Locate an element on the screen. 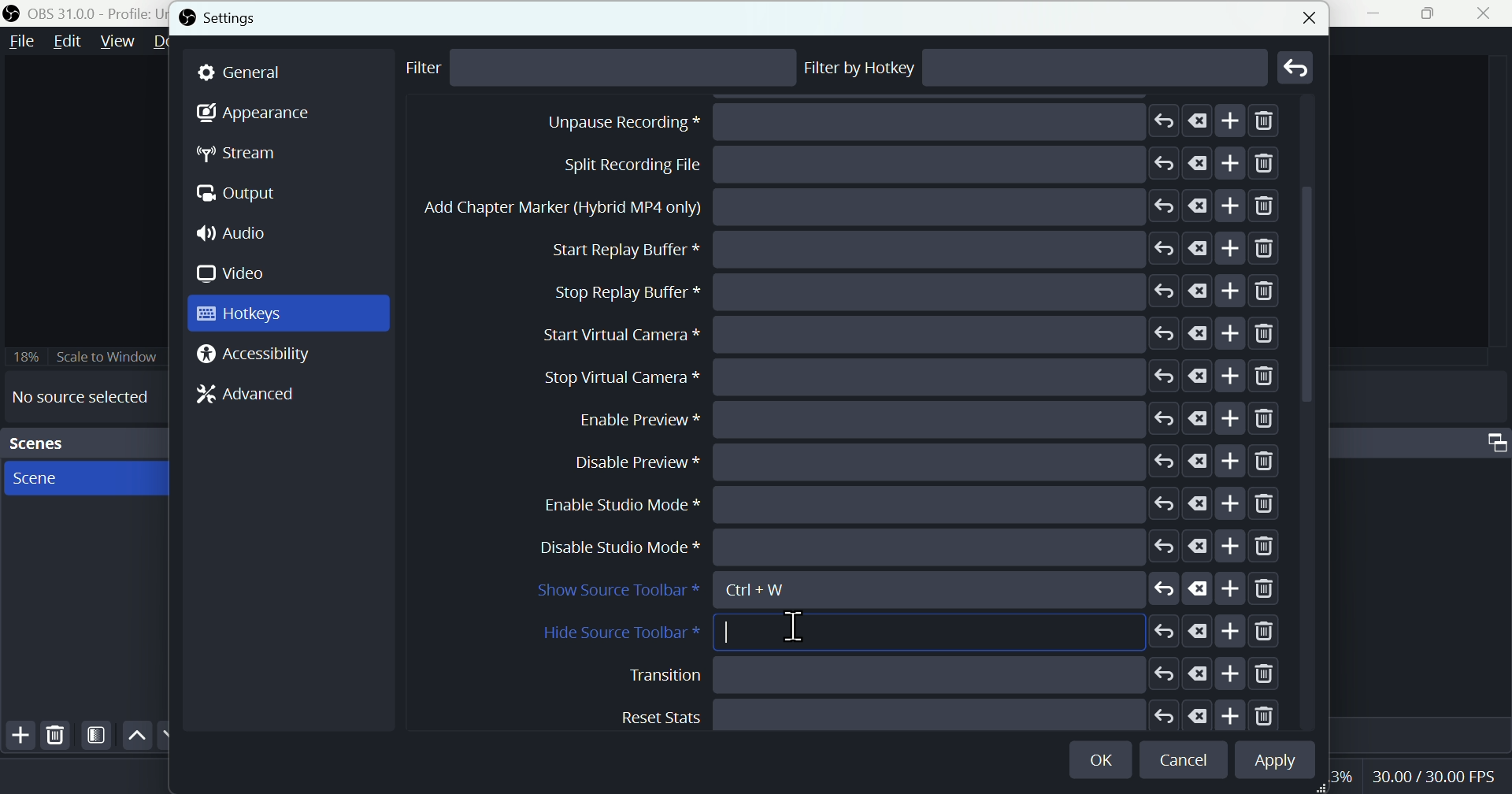  Stream is located at coordinates (250, 154).